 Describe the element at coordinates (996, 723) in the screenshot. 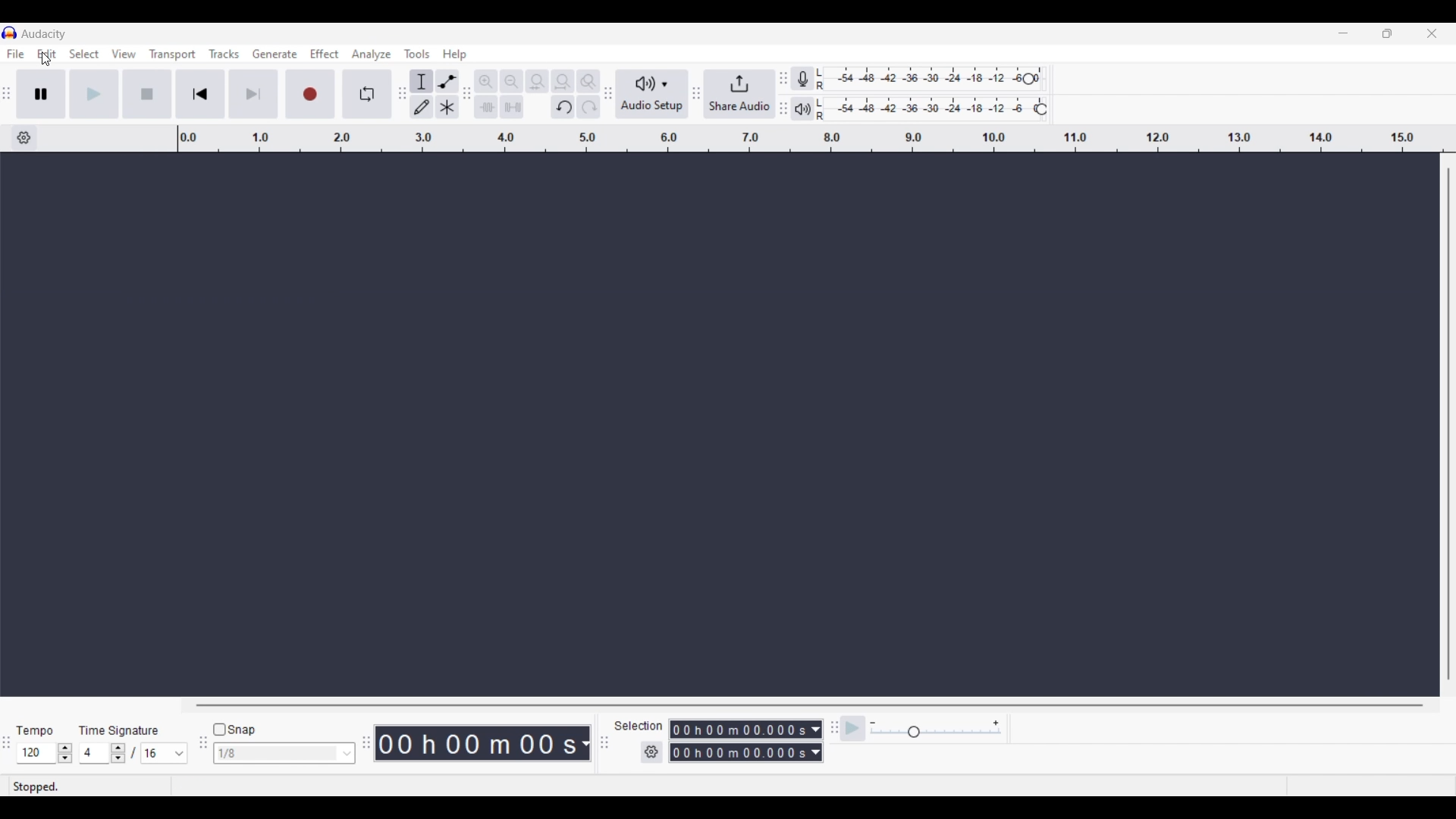

I see `Increase playback speed to maximum ` at that location.